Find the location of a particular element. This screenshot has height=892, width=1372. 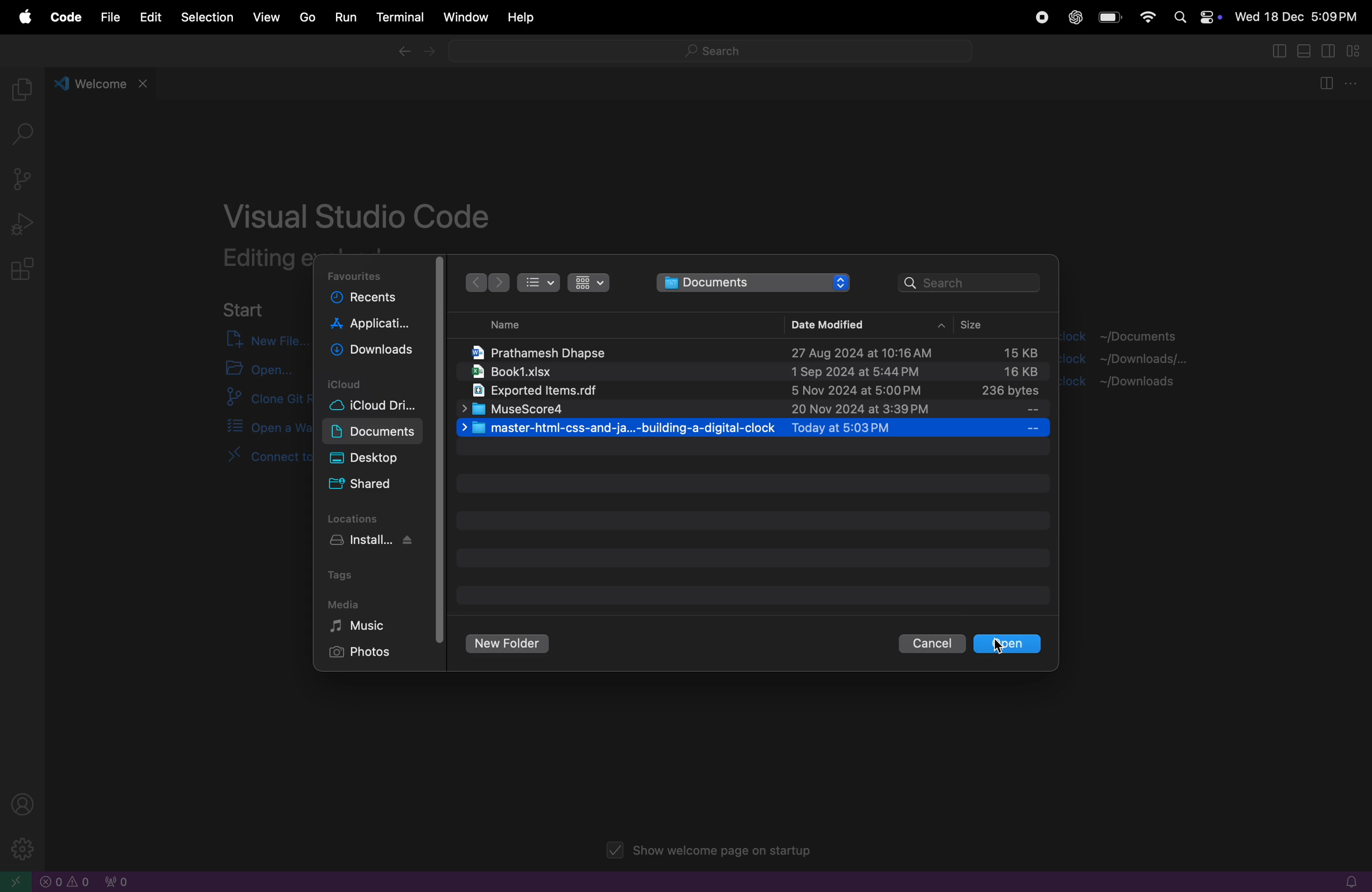

open is located at coordinates (1007, 644).